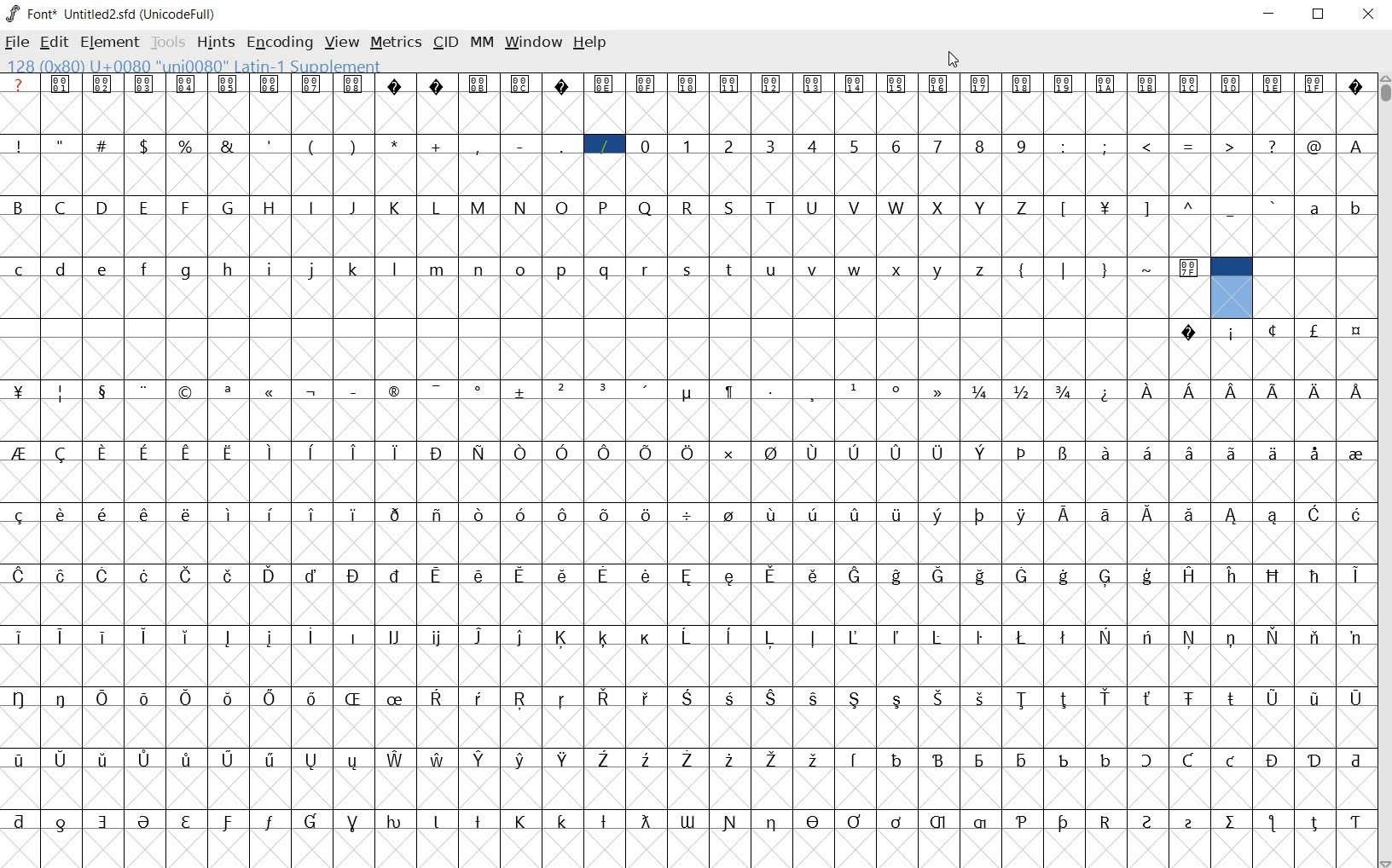  I want to click on Symbol, so click(1064, 512).